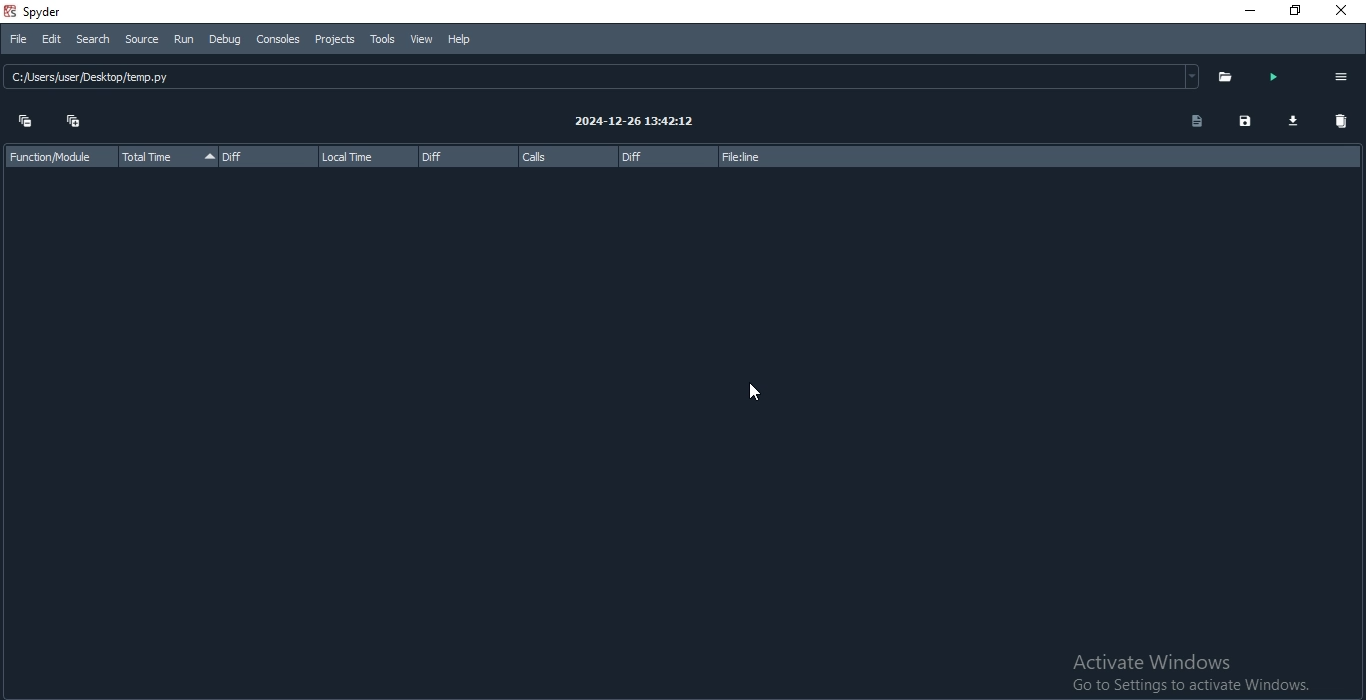 The width and height of the screenshot is (1366, 700). Describe the element at coordinates (1193, 122) in the screenshot. I see `document` at that location.